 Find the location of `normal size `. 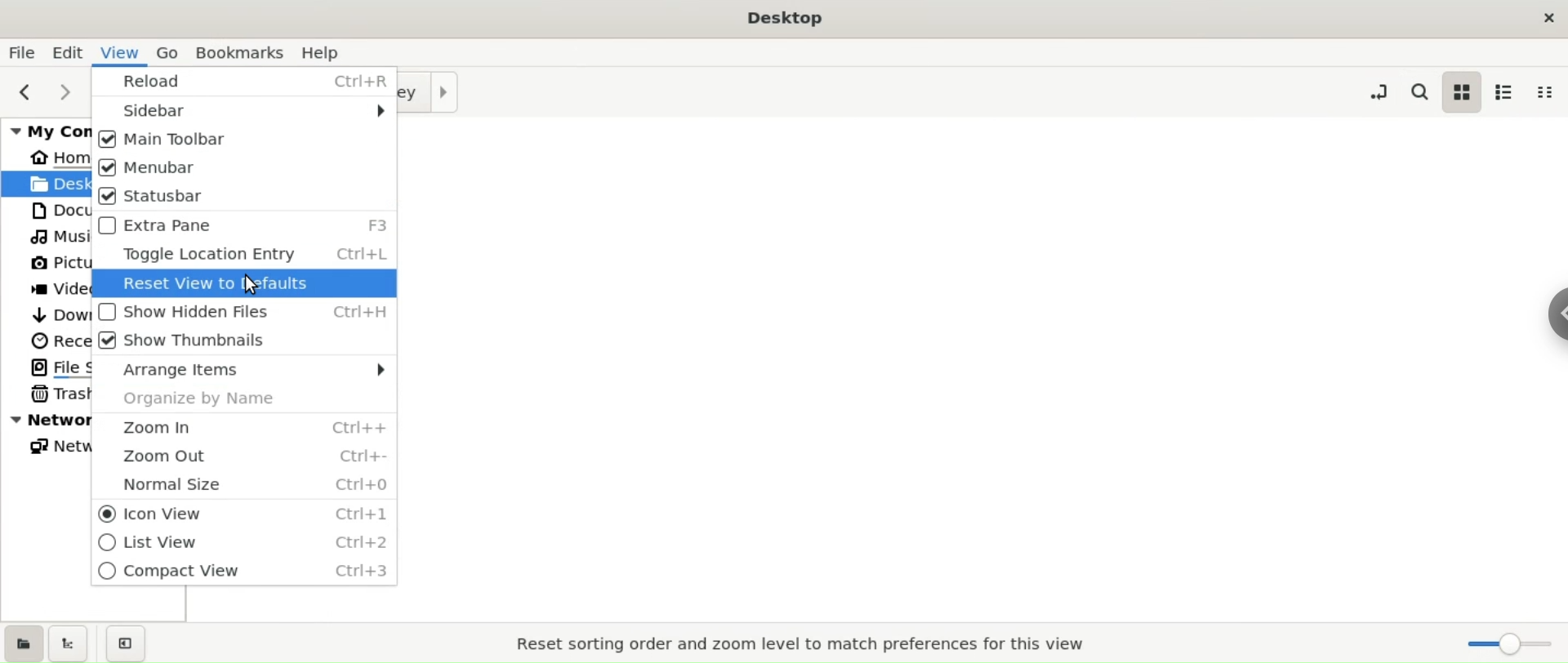

normal size  is located at coordinates (245, 485).